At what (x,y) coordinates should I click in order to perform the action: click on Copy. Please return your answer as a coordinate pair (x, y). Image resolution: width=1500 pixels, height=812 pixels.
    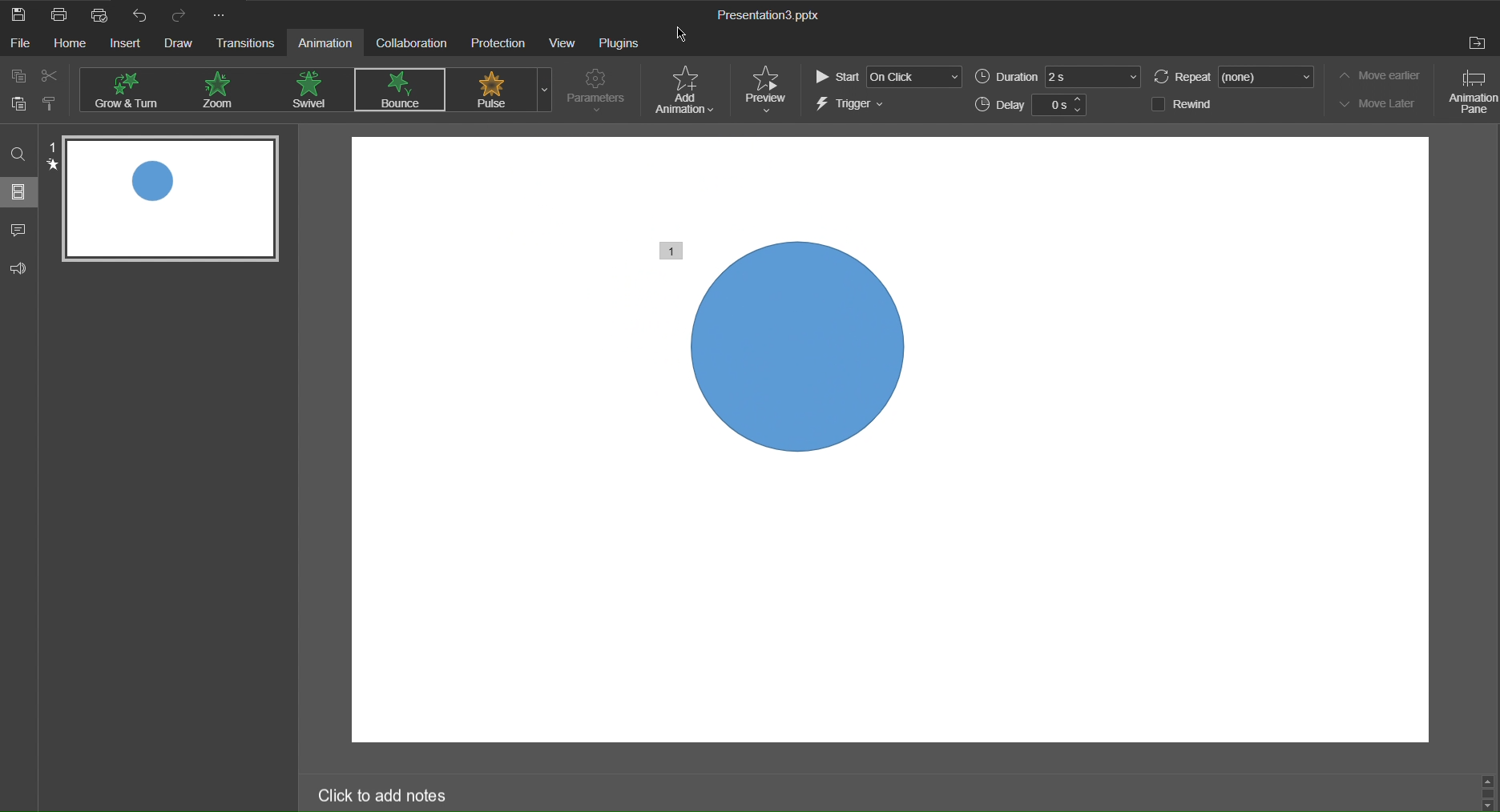
    Looking at the image, I should click on (18, 74).